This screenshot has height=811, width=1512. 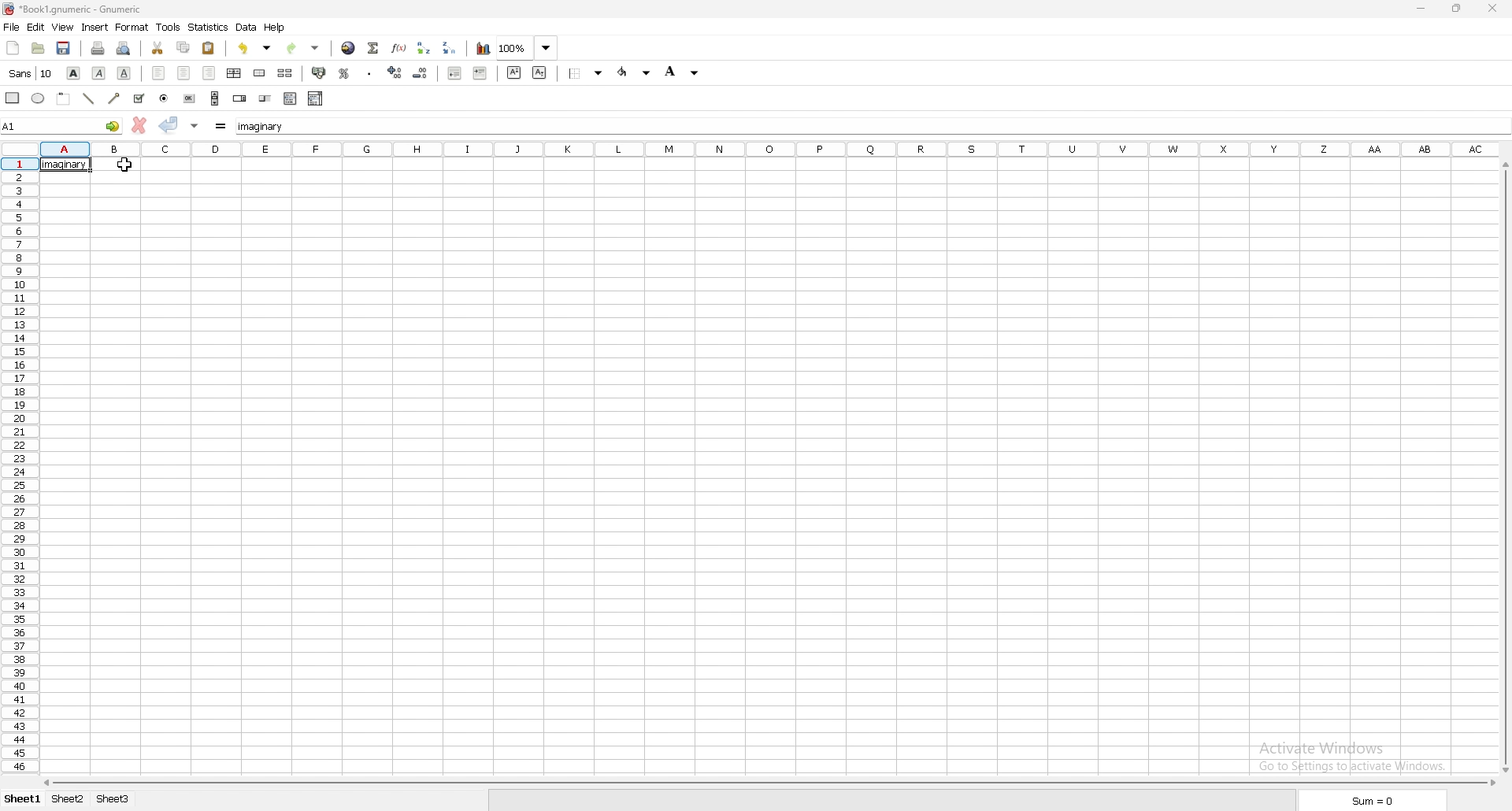 I want to click on line, so click(x=90, y=98).